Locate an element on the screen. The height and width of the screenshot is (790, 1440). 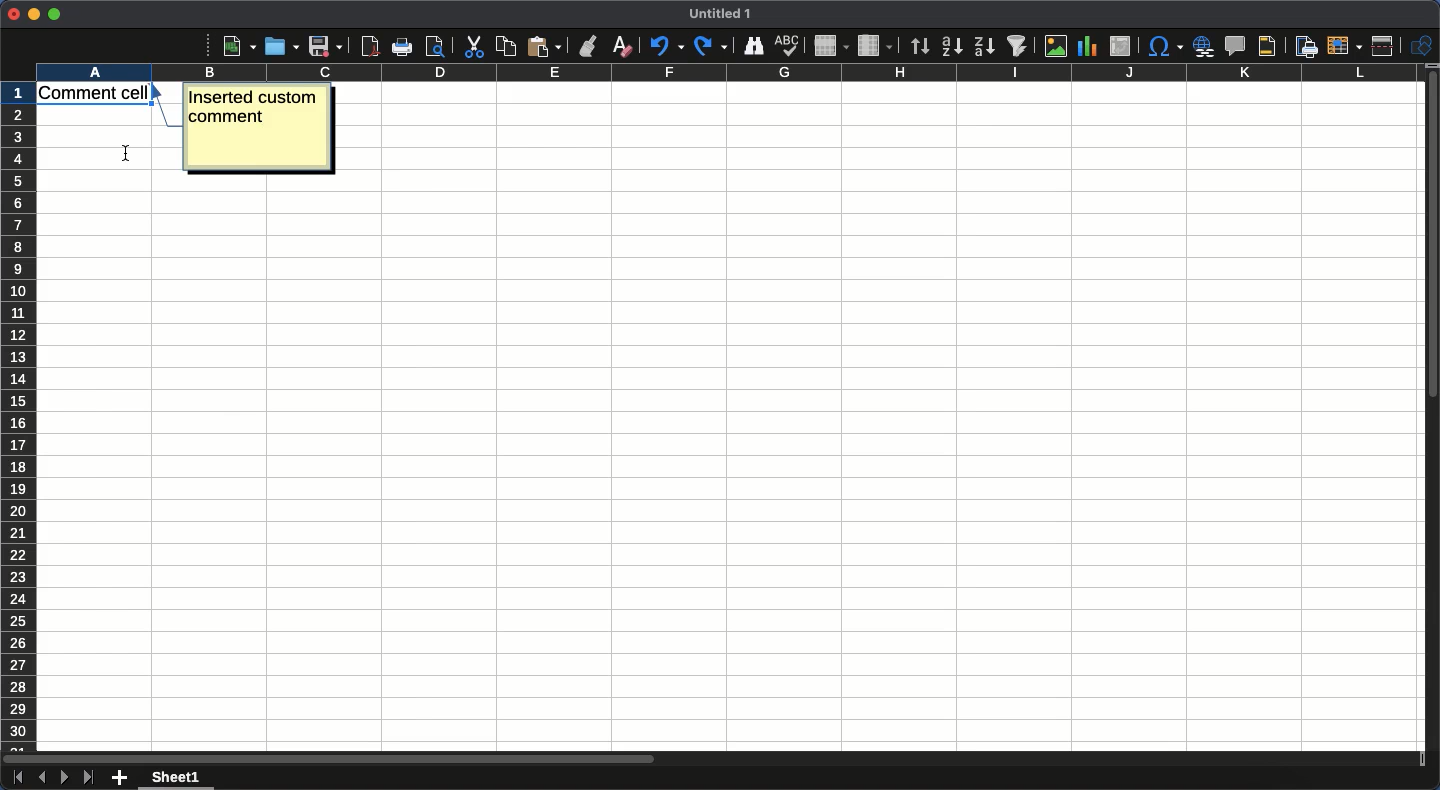
Row is located at coordinates (830, 46).